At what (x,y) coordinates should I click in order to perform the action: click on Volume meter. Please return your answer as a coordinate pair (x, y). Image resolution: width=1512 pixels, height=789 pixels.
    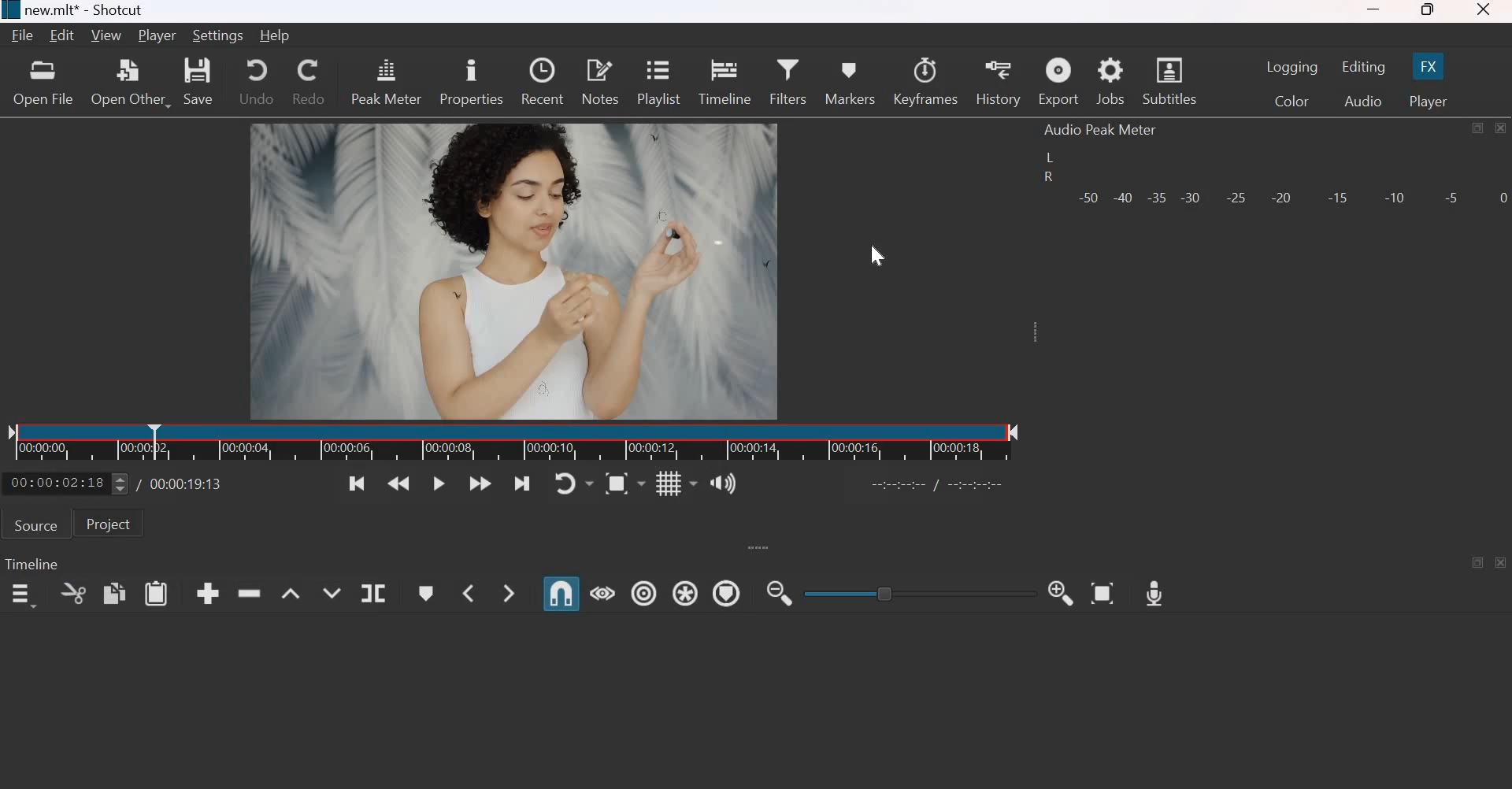
    Looking at the image, I should click on (1291, 198).